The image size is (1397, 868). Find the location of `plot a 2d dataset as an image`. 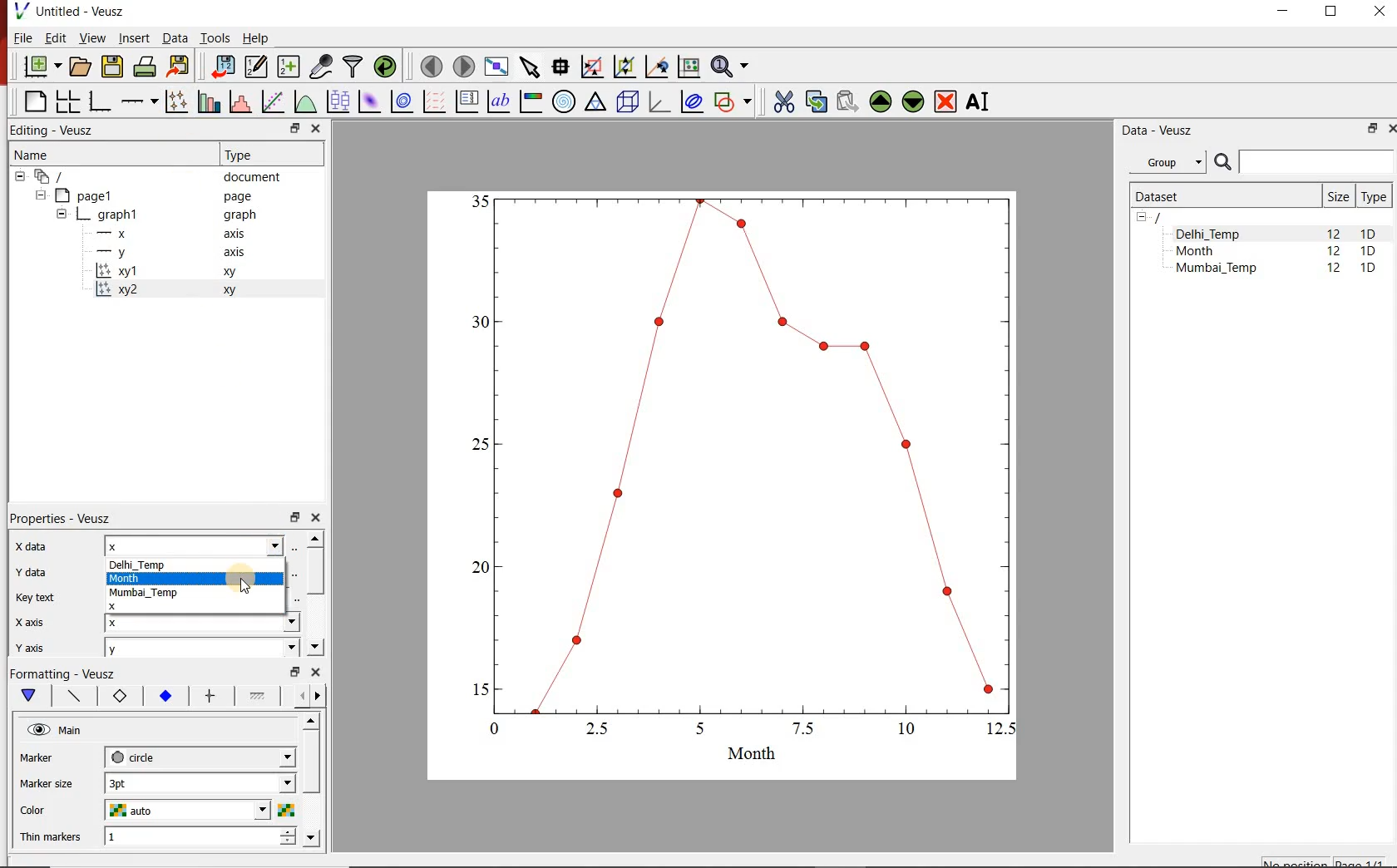

plot a 2d dataset as an image is located at coordinates (371, 101).